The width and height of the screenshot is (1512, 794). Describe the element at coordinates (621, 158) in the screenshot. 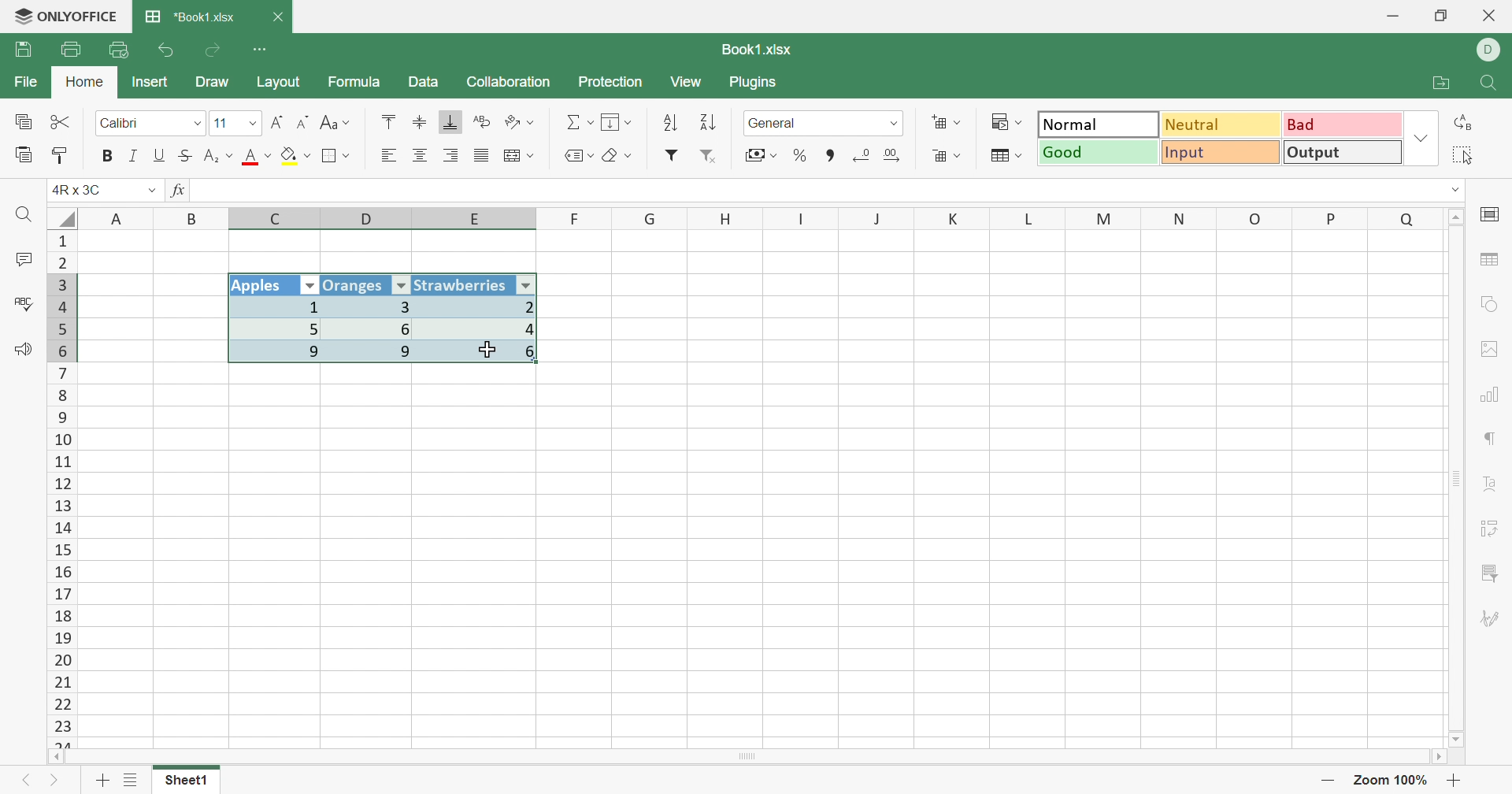

I see `Clear` at that location.